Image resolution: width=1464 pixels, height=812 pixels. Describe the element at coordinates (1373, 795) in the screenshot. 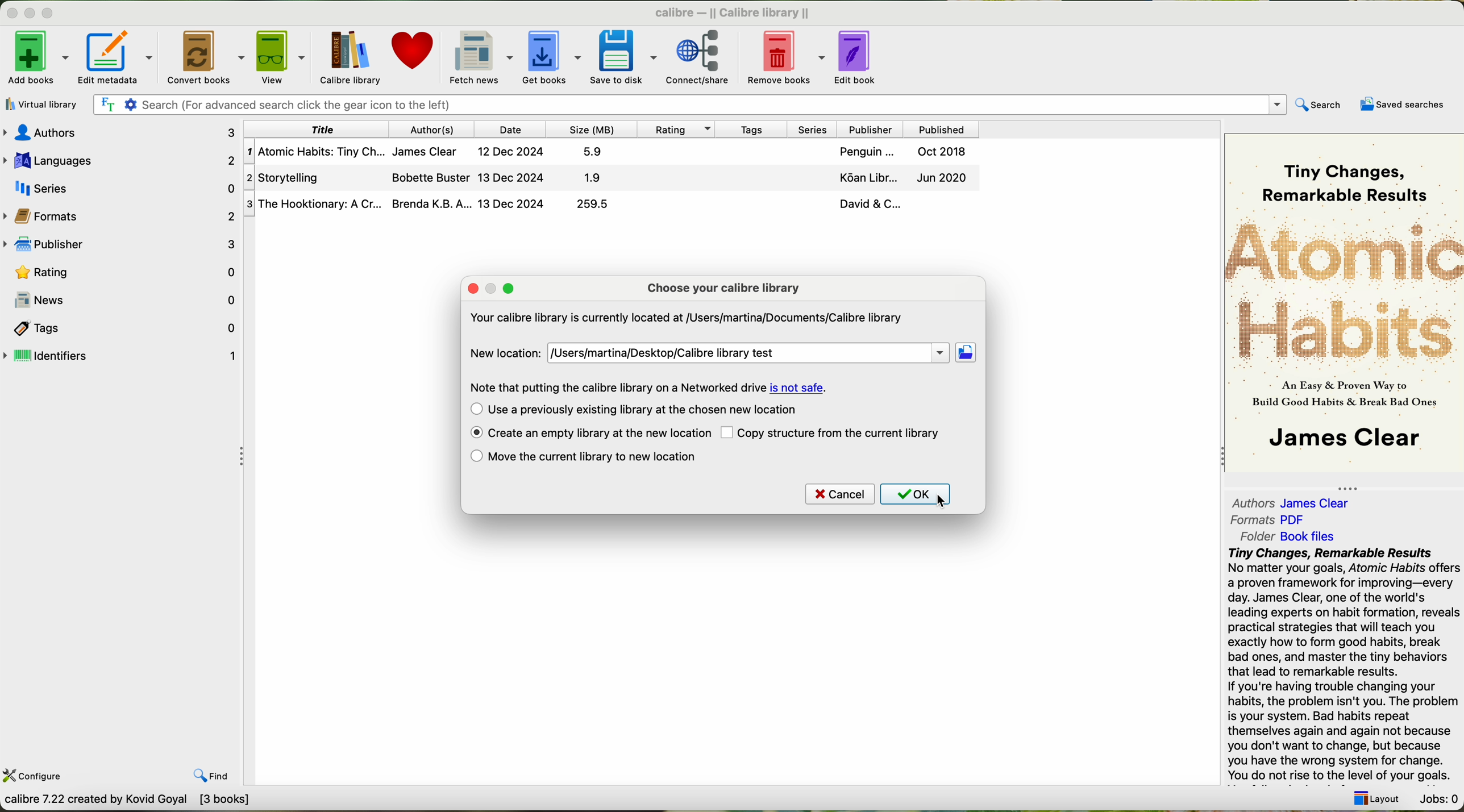

I see `Layout` at that location.